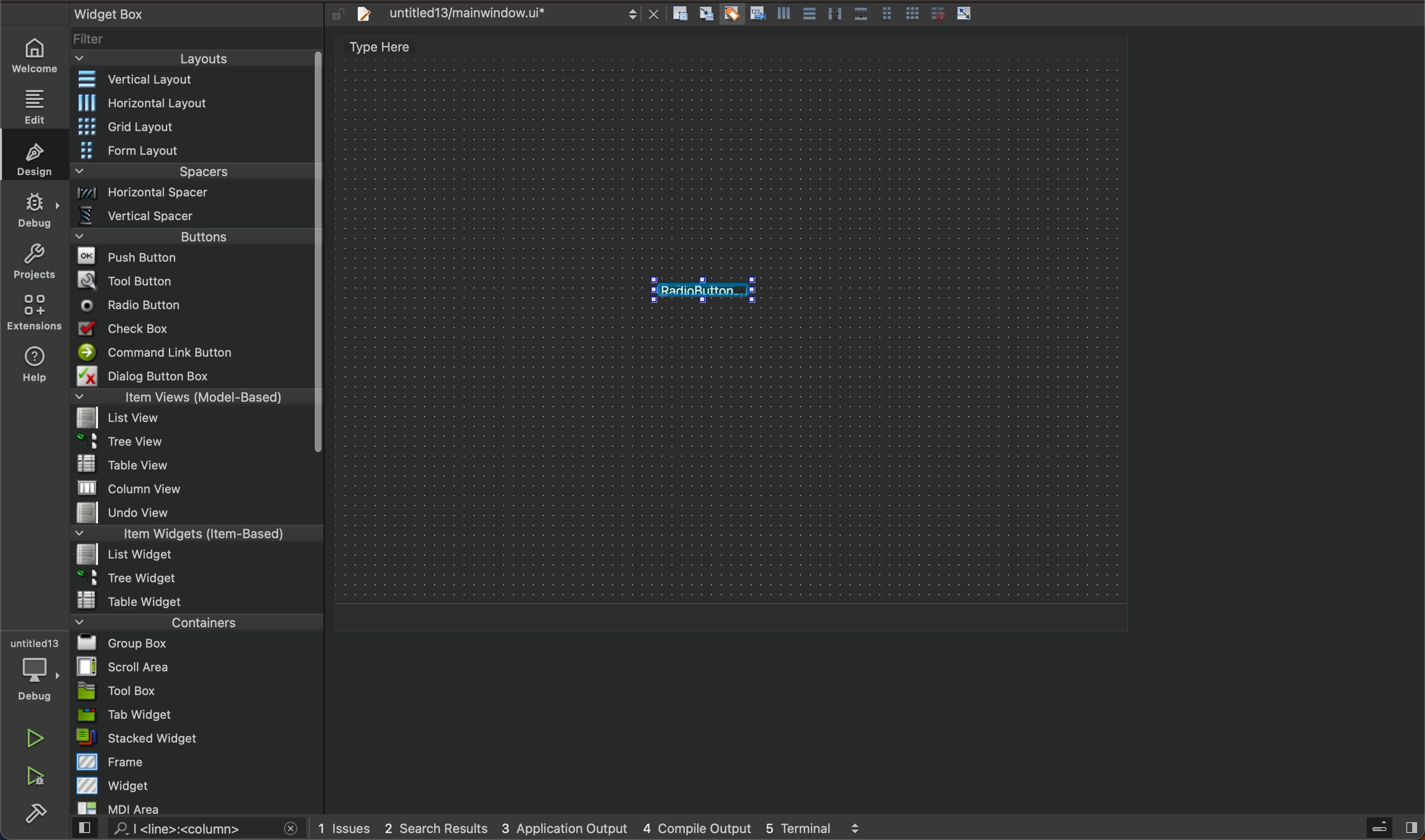 The width and height of the screenshot is (1425, 840). Describe the element at coordinates (756, 15) in the screenshot. I see `` at that location.